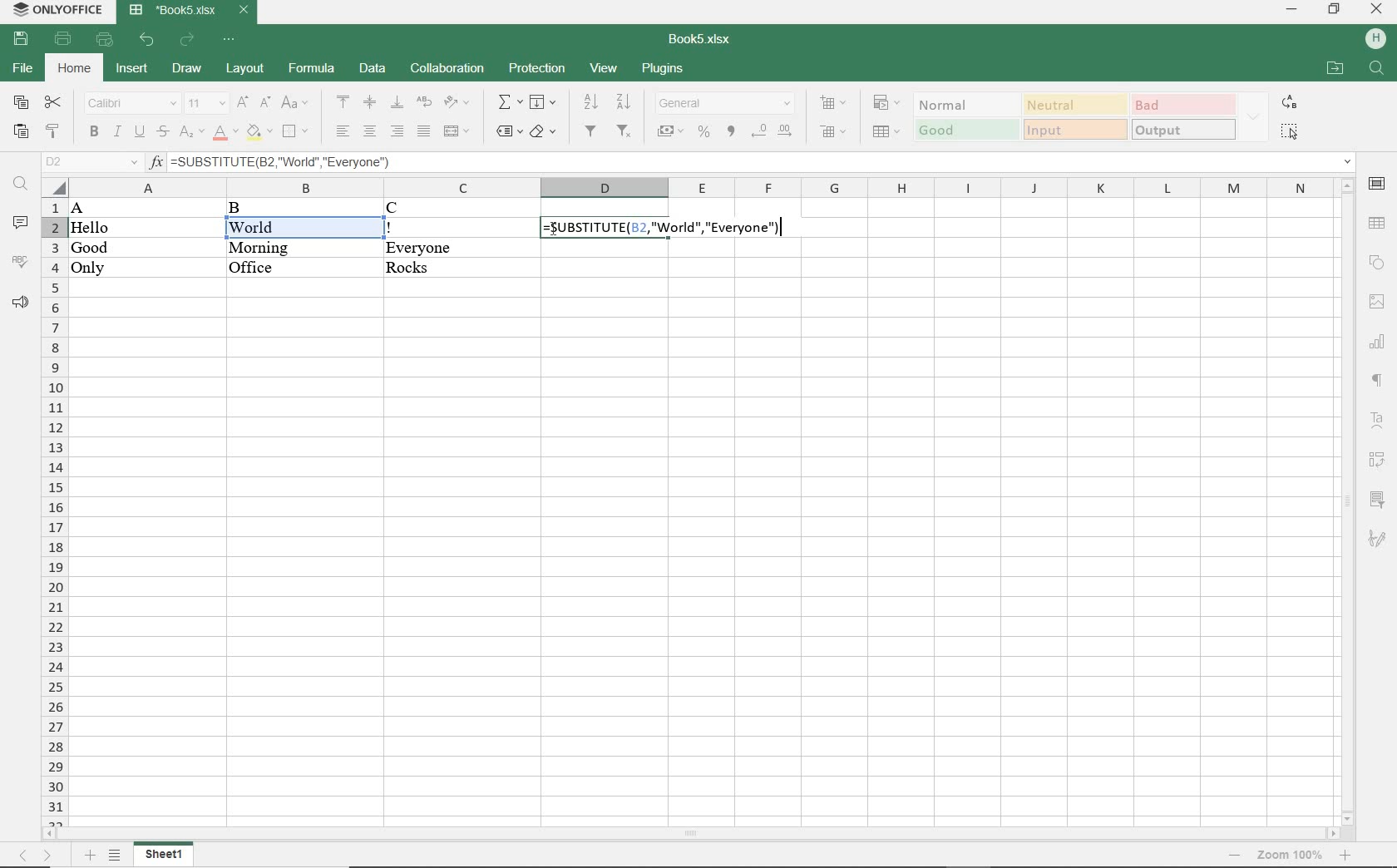  Describe the element at coordinates (344, 103) in the screenshot. I see `align top` at that location.